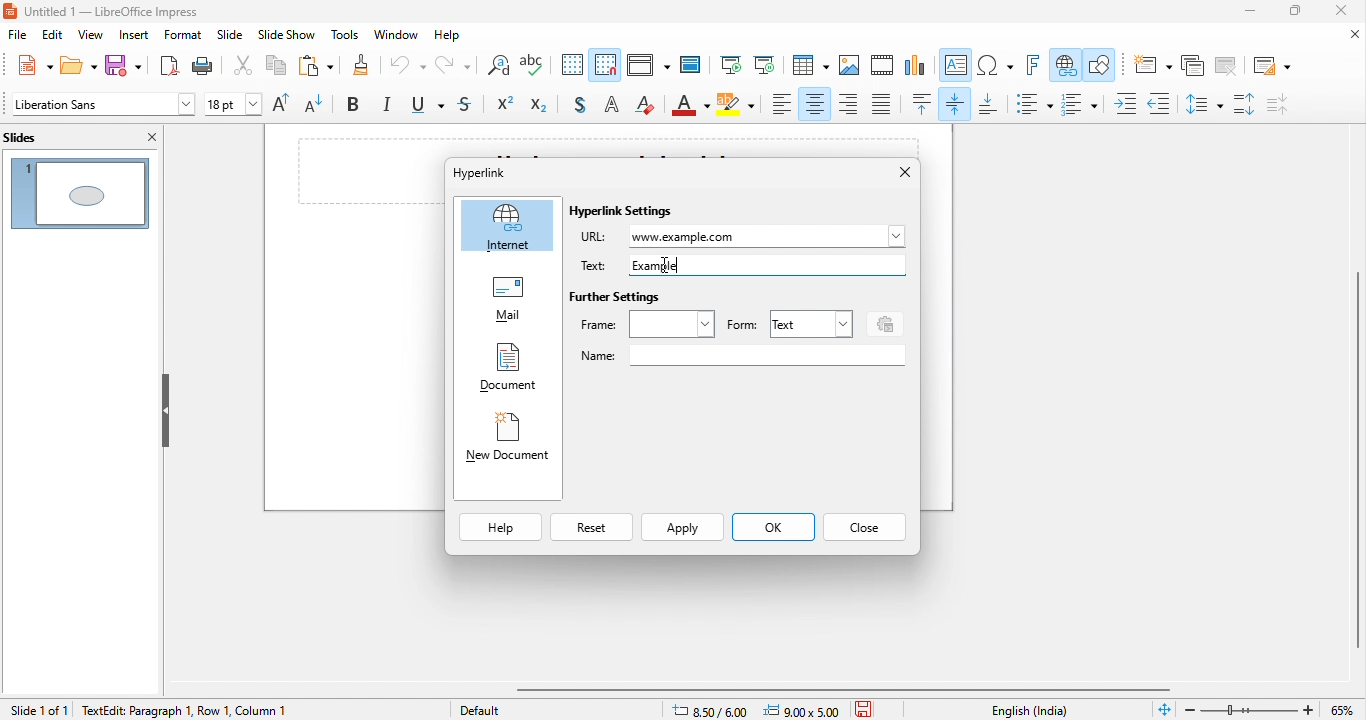 The image size is (1366, 720). What do you see at coordinates (1349, 35) in the screenshot?
I see `close` at bounding box center [1349, 35].